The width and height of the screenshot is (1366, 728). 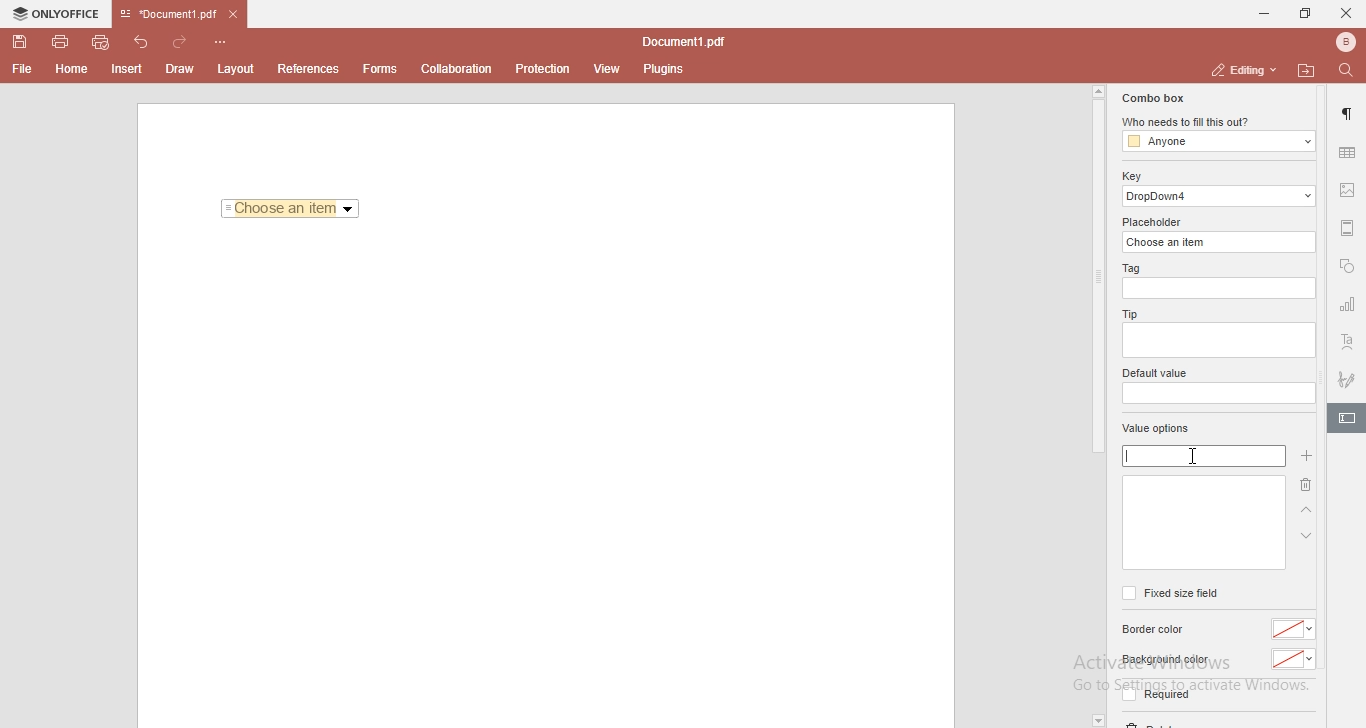 What do you see at coordinates (1294, 660) in the screenshot?
I see `color dropdown` at bounding box center [1294, 660].